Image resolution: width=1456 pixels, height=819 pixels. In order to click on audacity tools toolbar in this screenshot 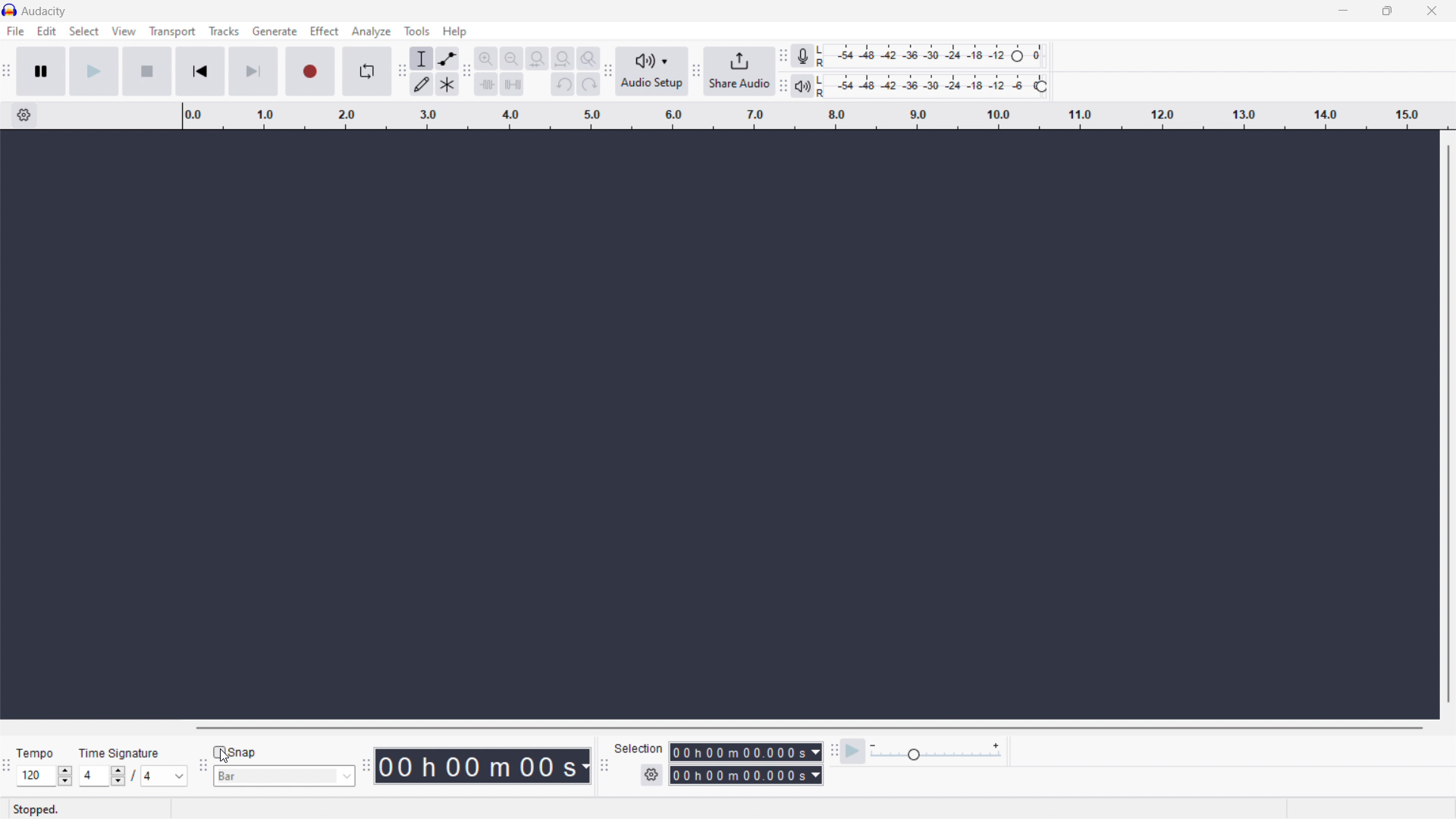, I will do `click(400, 72)`.